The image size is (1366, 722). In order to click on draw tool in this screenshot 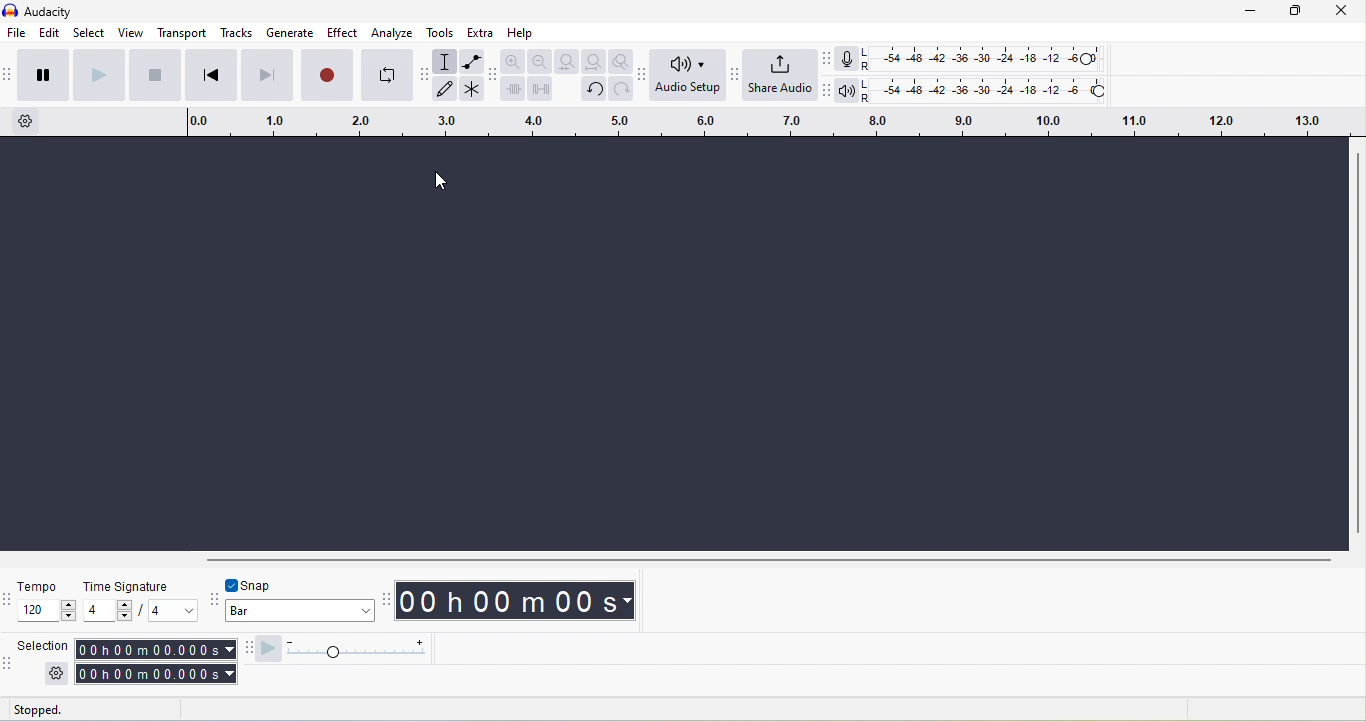, I will do `click(445, 88)`.